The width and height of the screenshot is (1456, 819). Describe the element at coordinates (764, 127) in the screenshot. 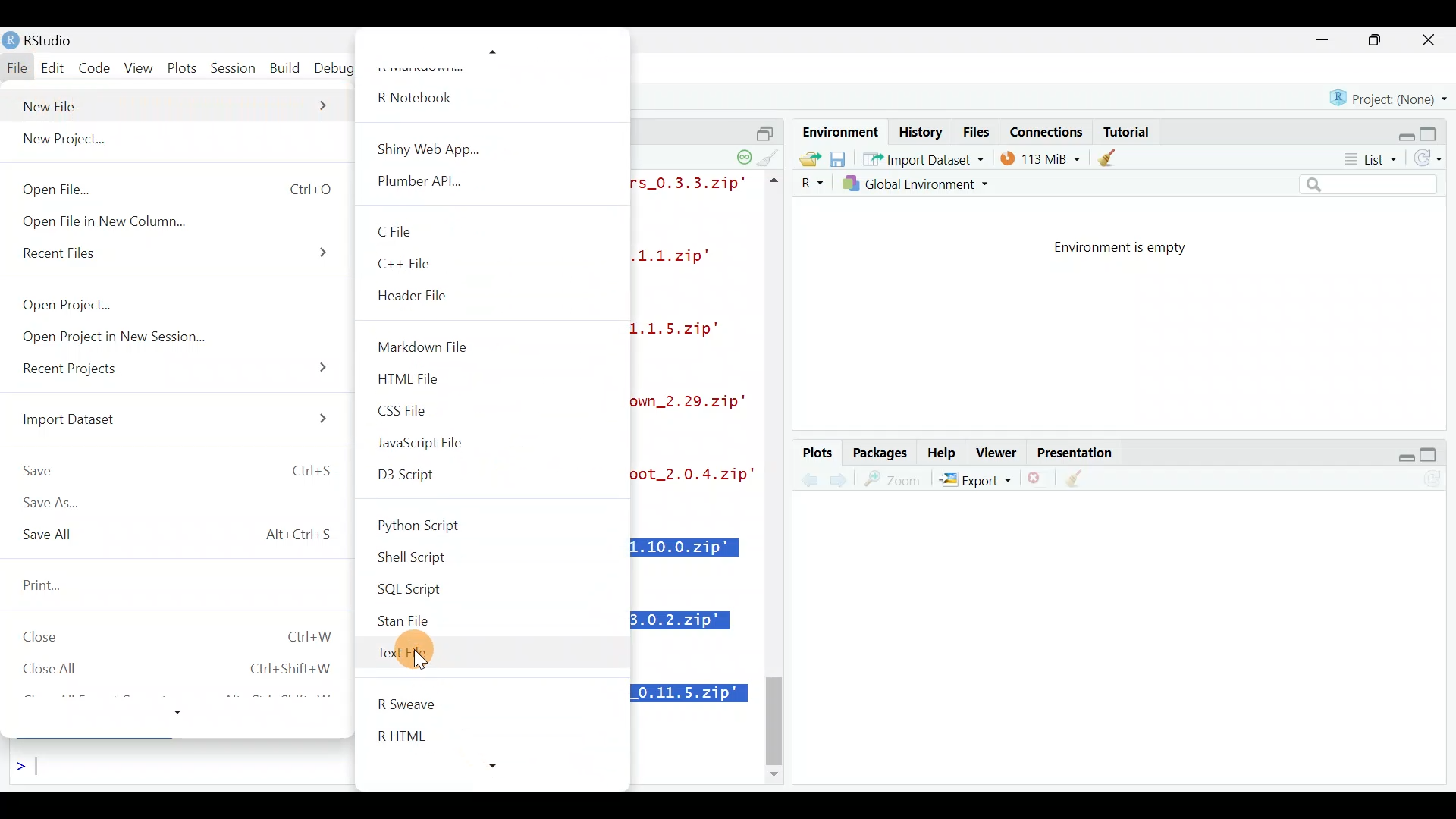

I see `split` at that location.